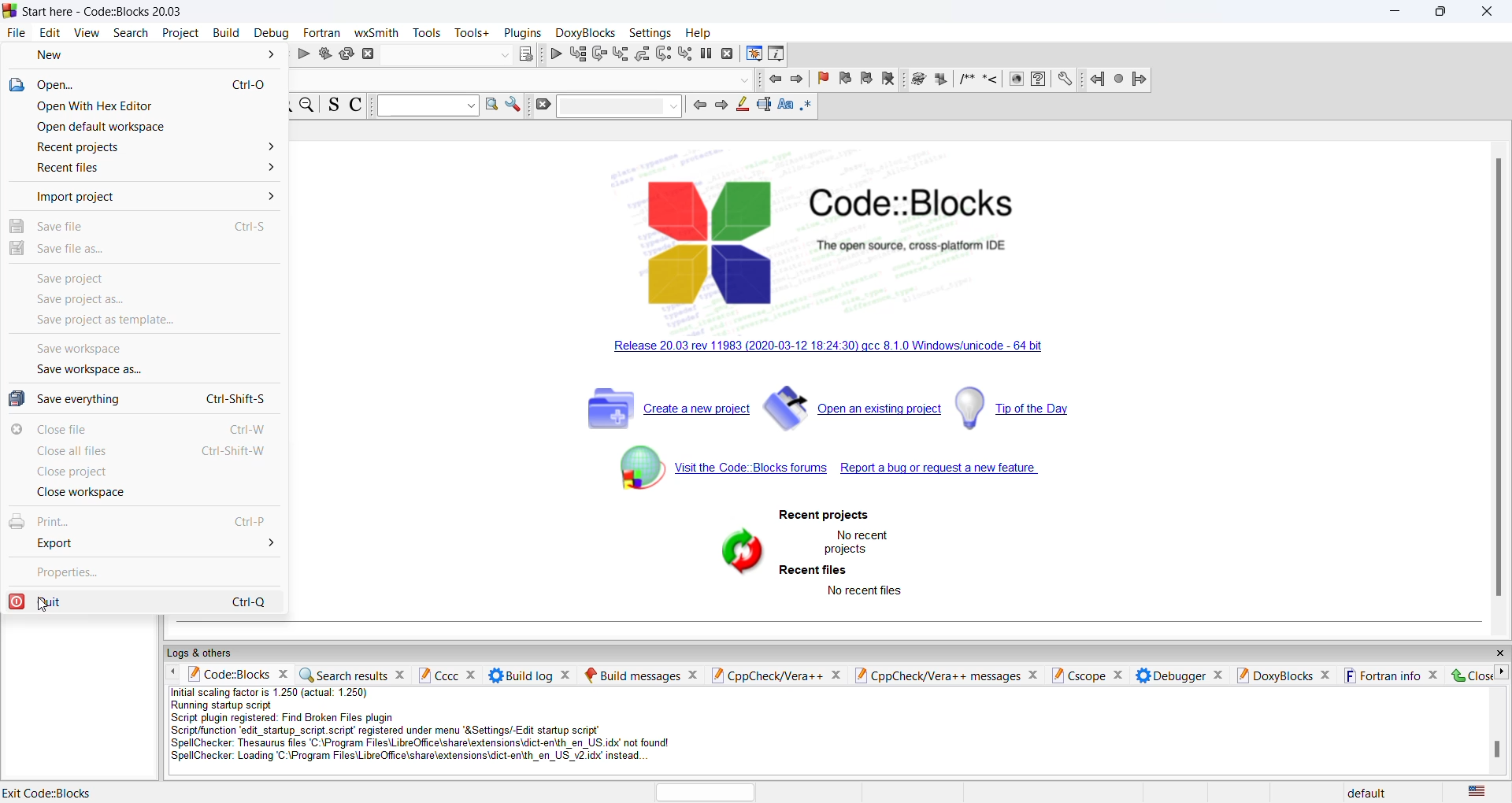  I want to click on Close file, so click(65, 430).